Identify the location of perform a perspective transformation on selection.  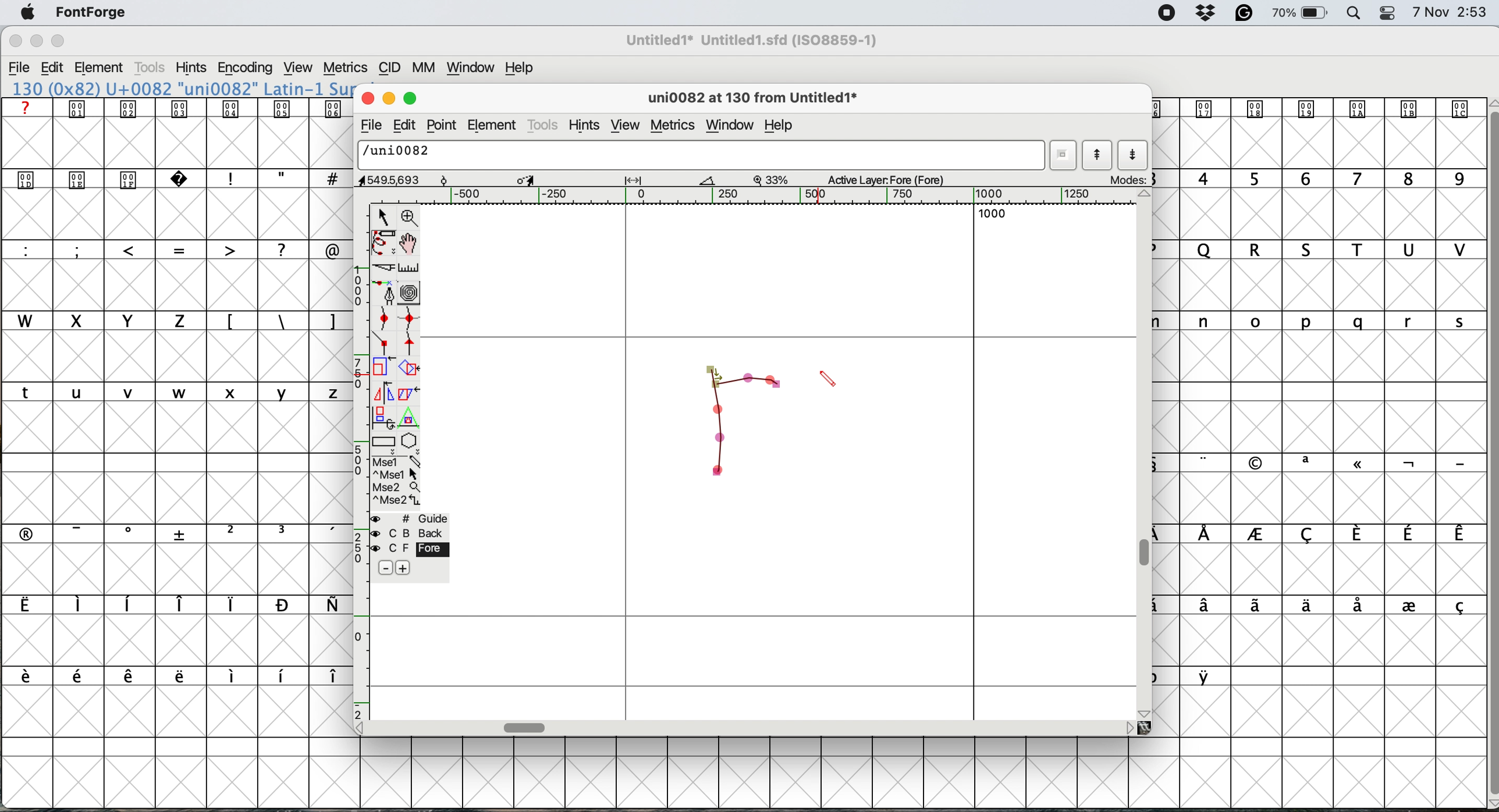
(411, 421).